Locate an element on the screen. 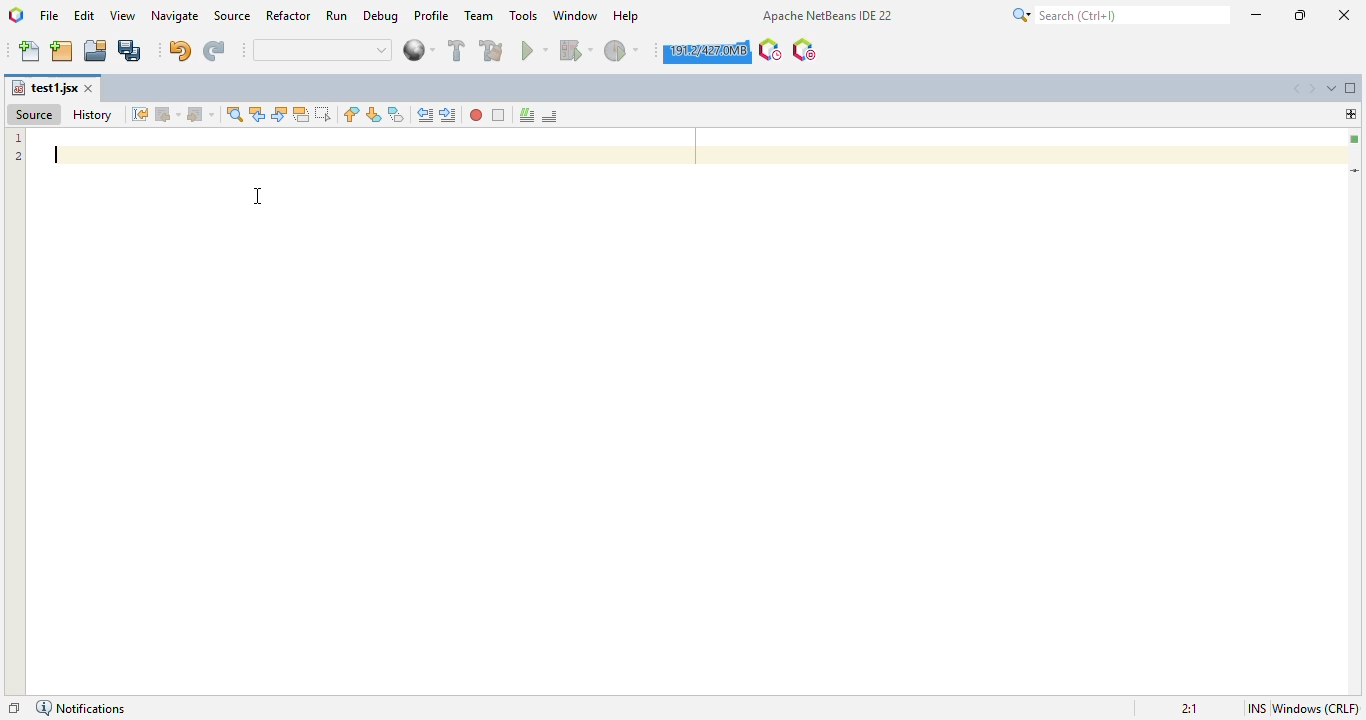  editor window is located at coordinates (685, 456).